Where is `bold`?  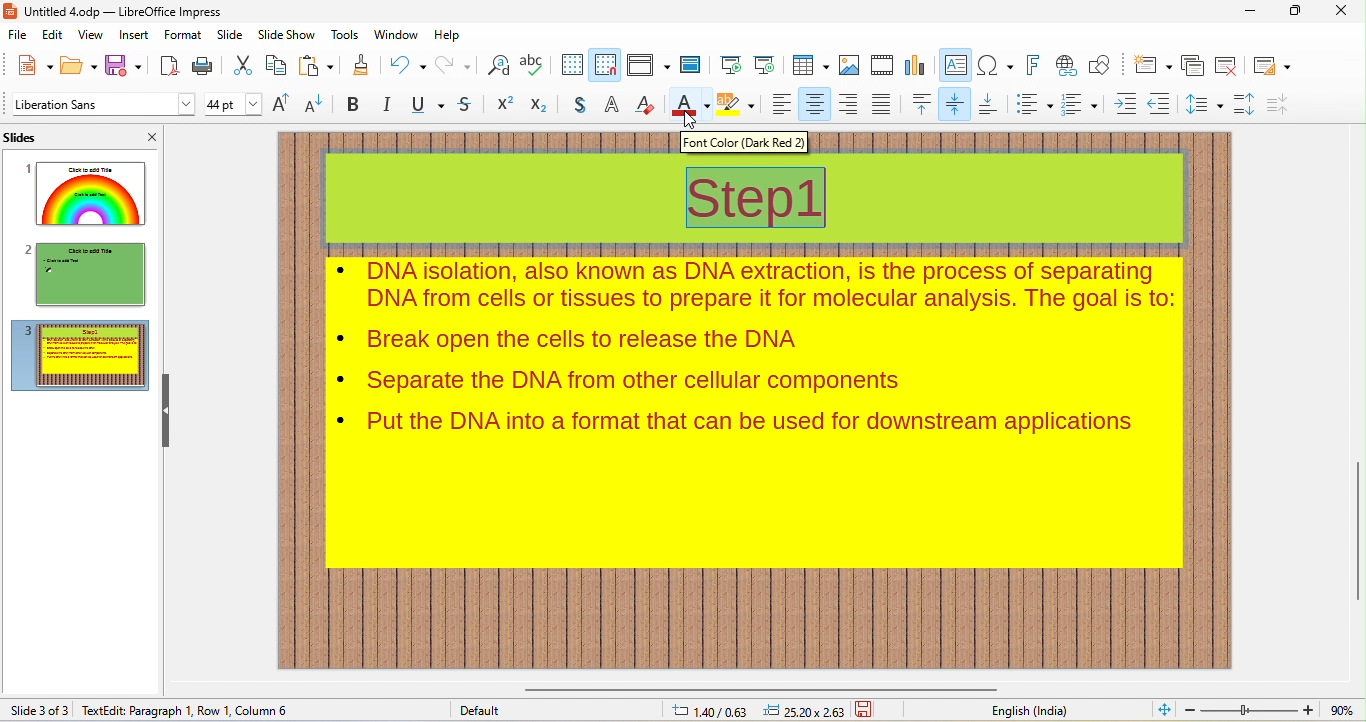
bold is located at coordinates (353, 104).